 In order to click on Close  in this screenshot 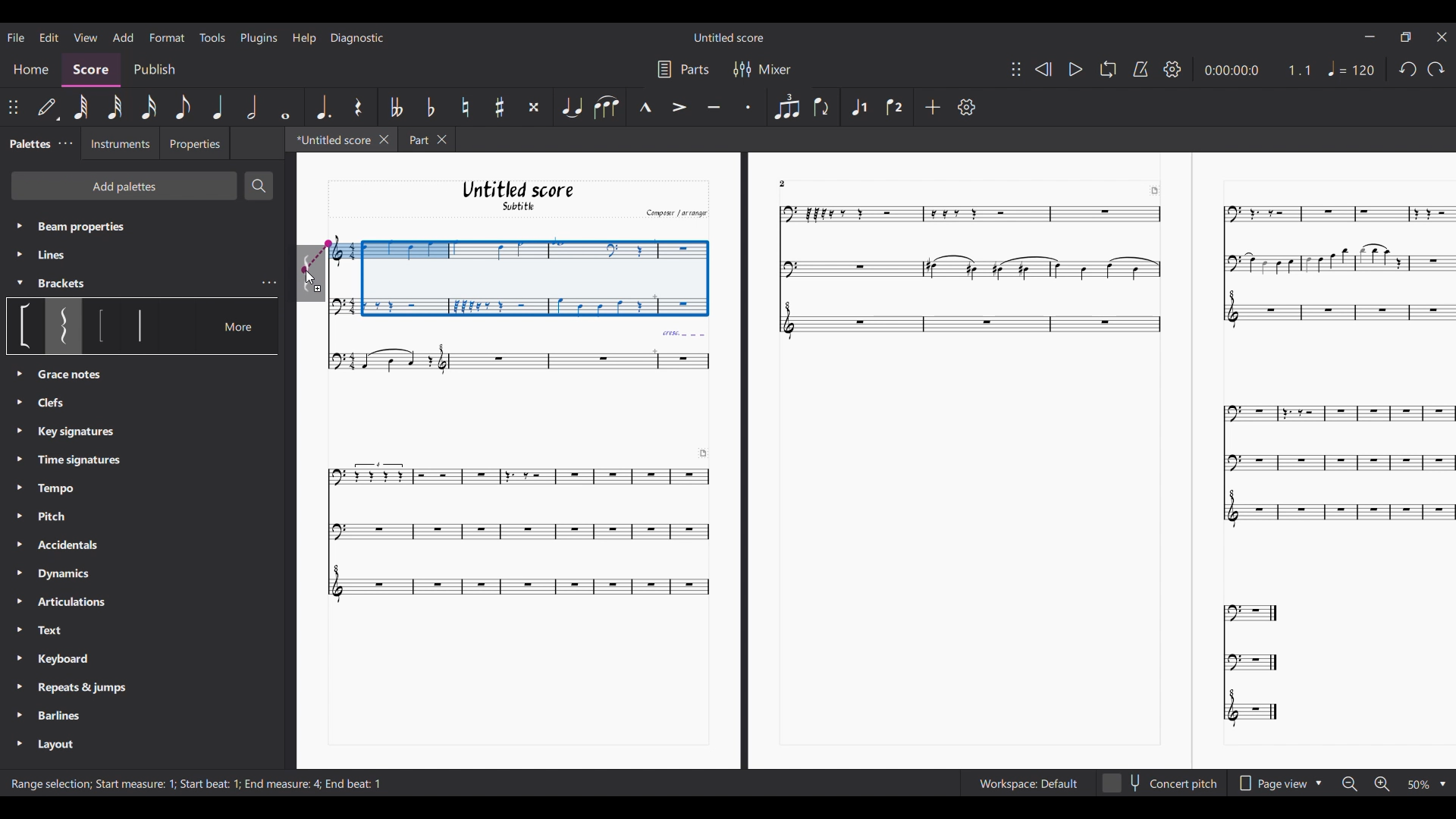, I will do `click(1442, 36)`.